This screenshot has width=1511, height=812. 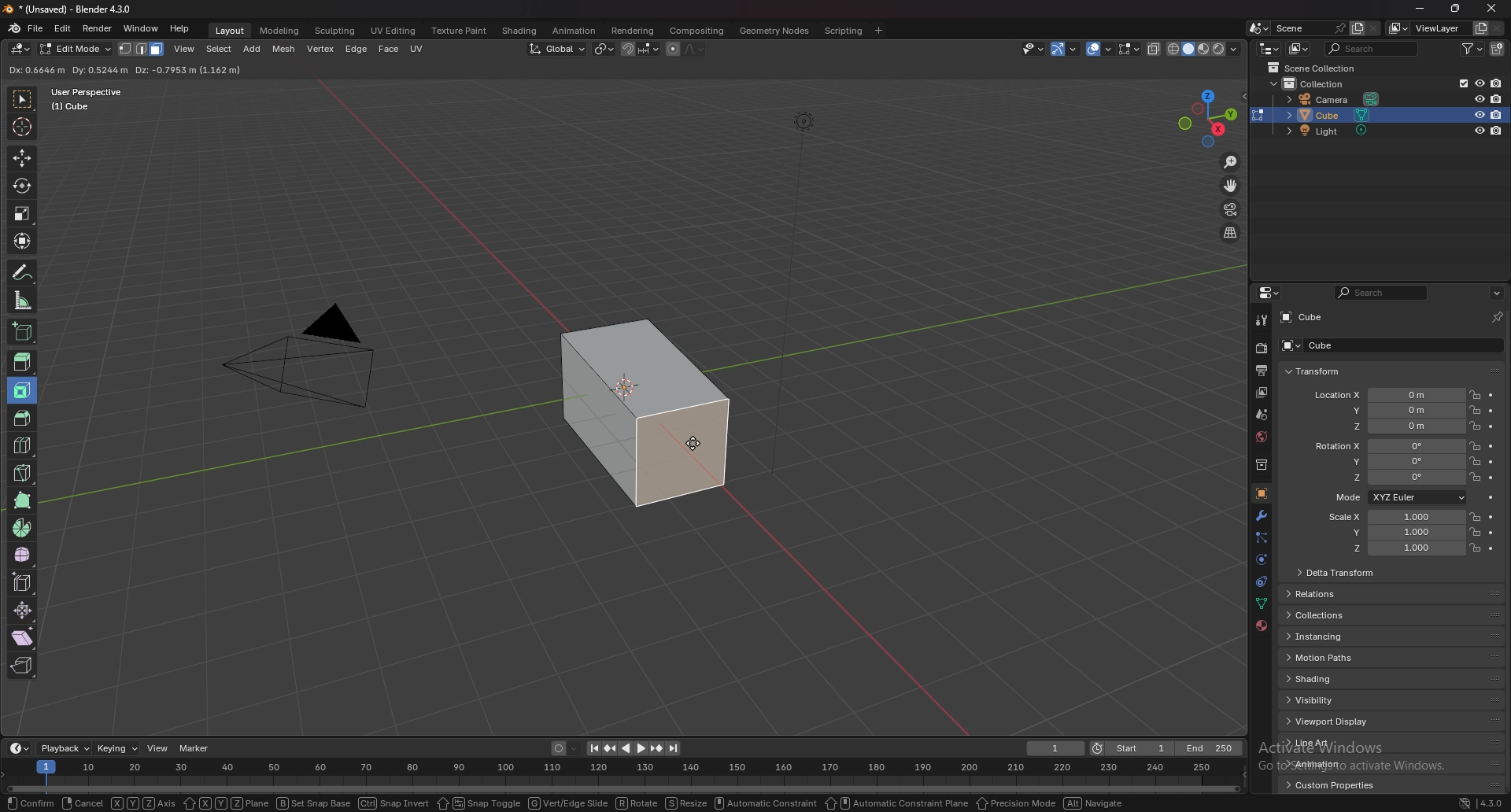 What do you see at coordinates (1479, 97) in the screenshot?
I see `hide in viewport` at bounding box center [1479, 97].